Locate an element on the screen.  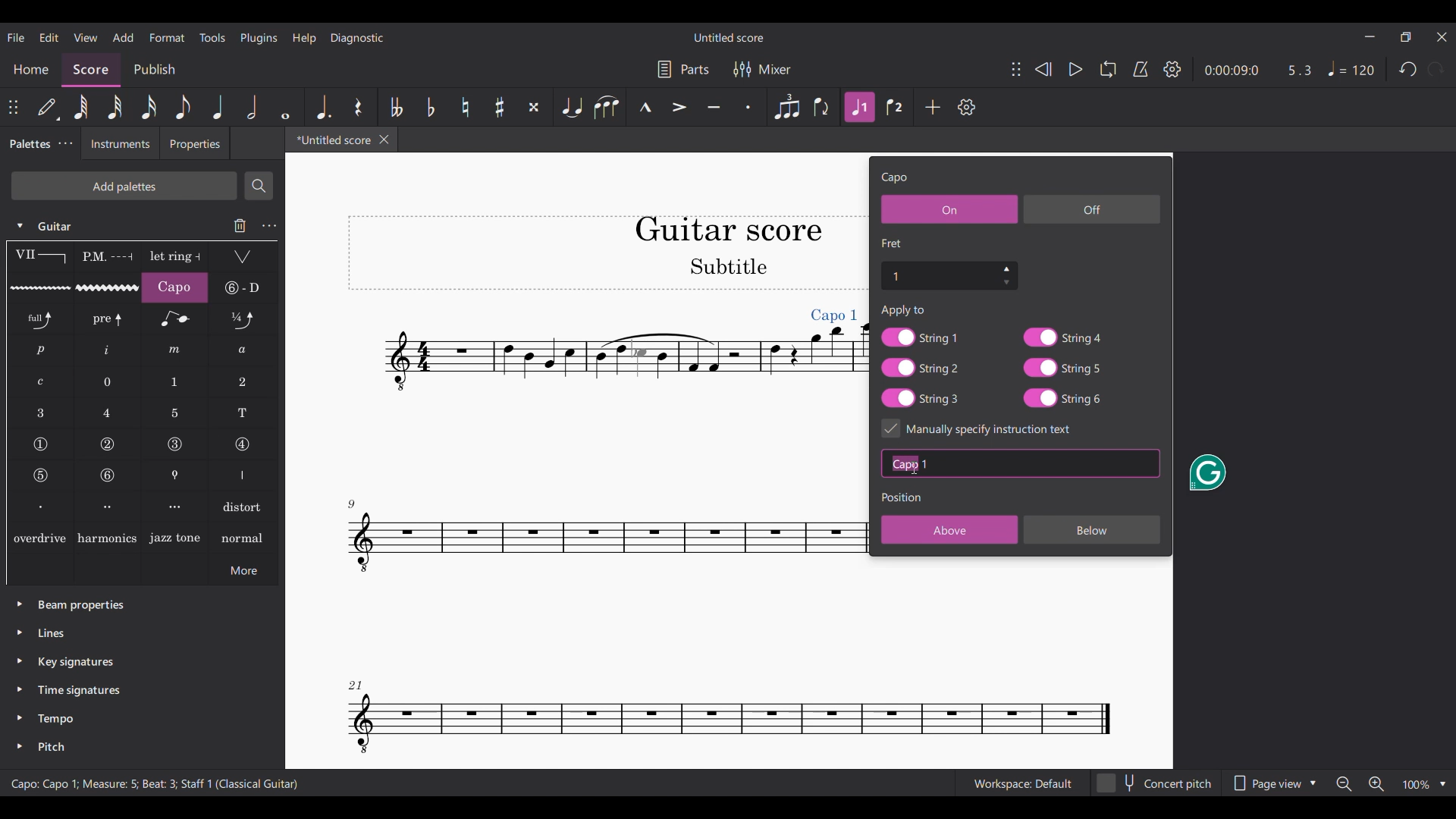
Score title is located at coordinates (728, 38).